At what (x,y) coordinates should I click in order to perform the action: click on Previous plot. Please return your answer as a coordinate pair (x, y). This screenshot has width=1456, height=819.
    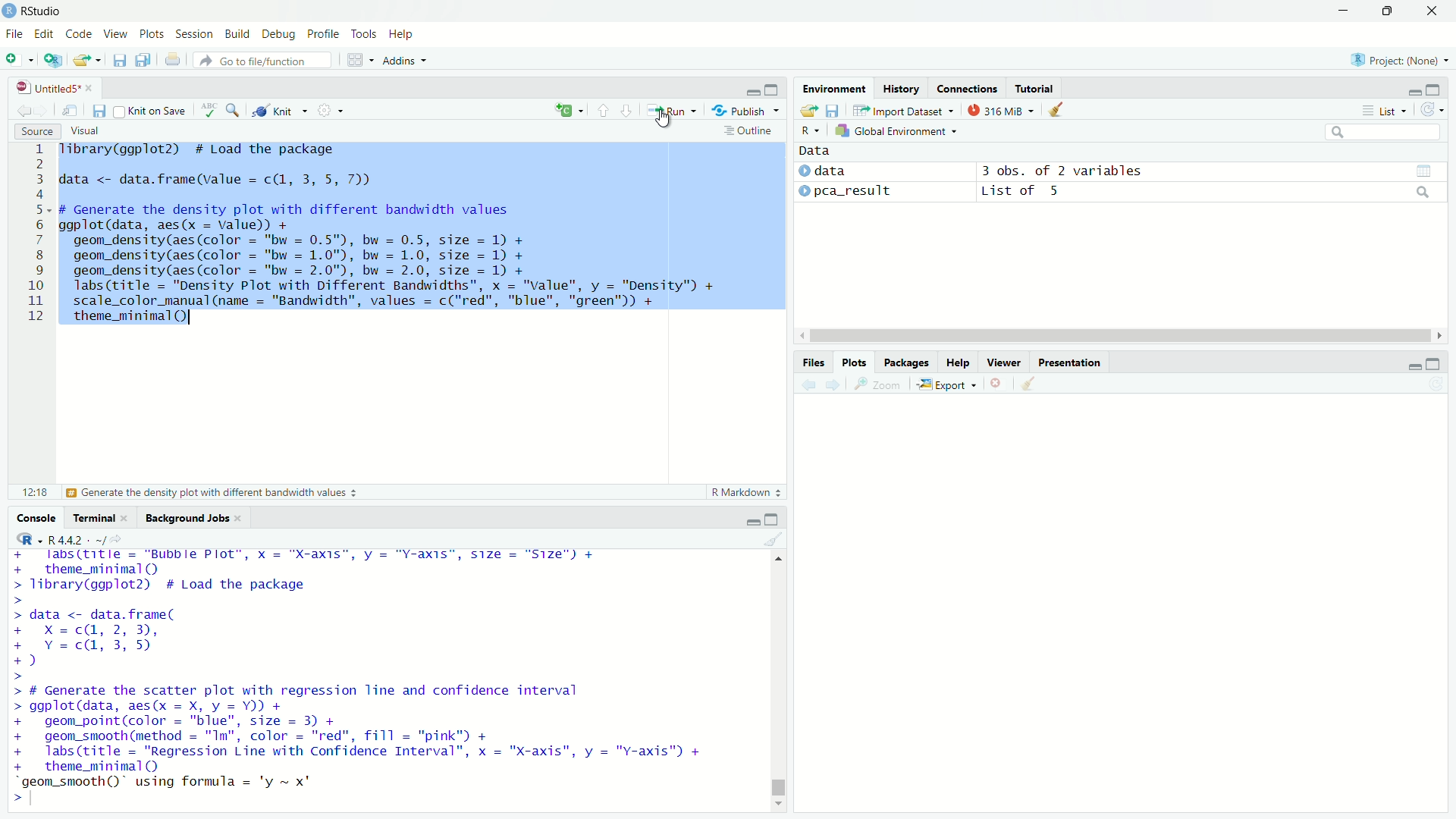
    Looking at the image, I should click on (808, 384).